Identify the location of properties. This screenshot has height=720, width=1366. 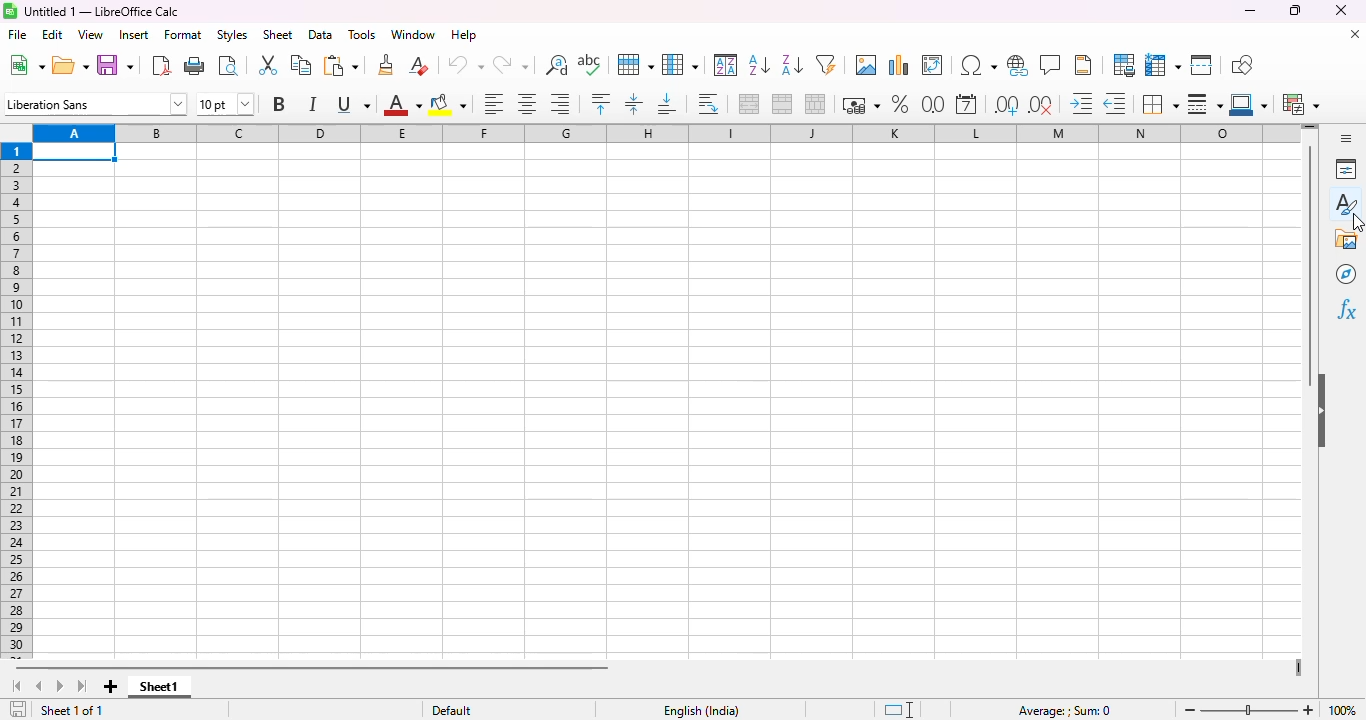
(1347, 169).